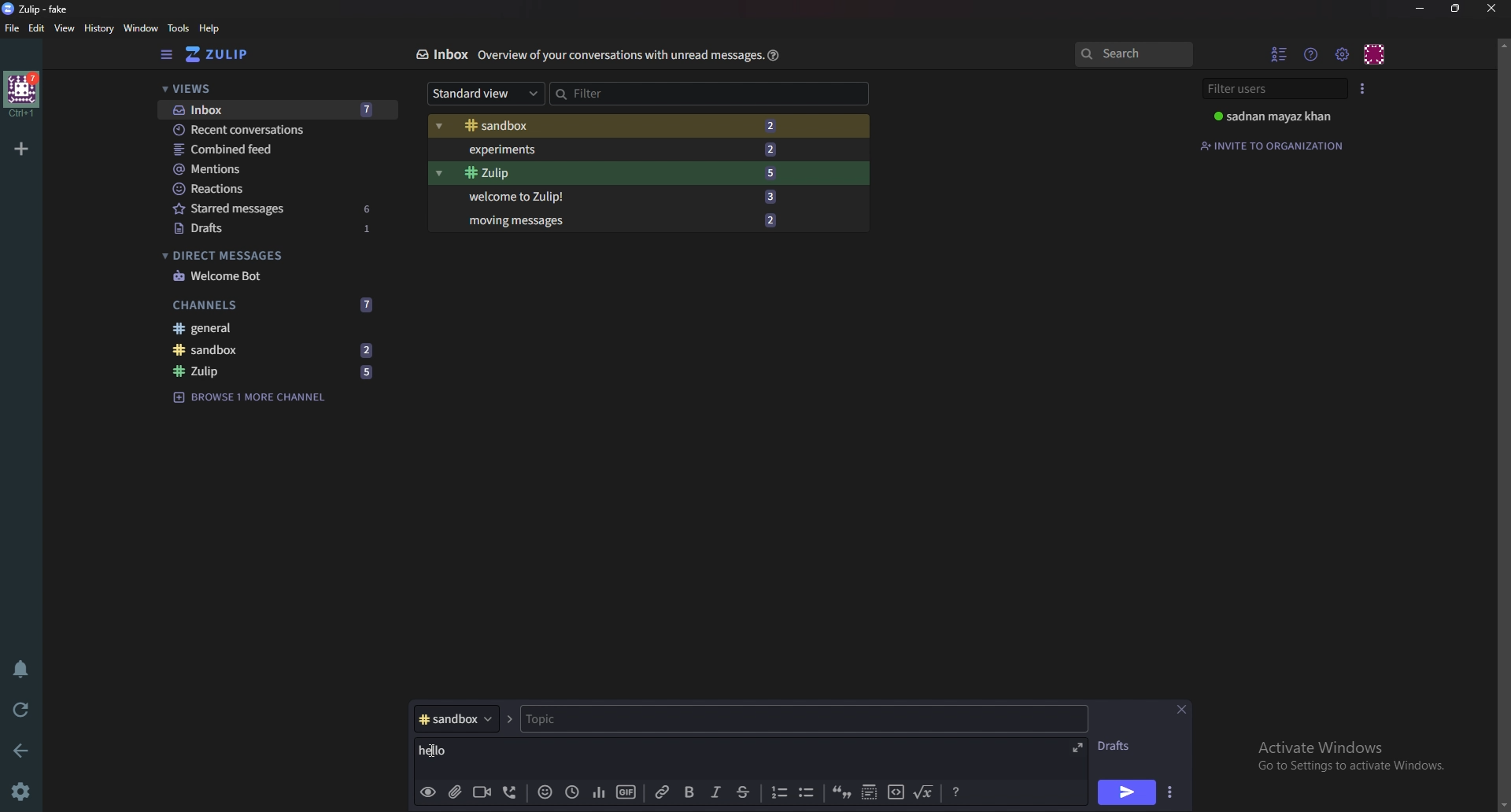 The image size is (1511, 812). Describe the element at coordinates (142, 28) in the screenshot. I see `Window` at that location.